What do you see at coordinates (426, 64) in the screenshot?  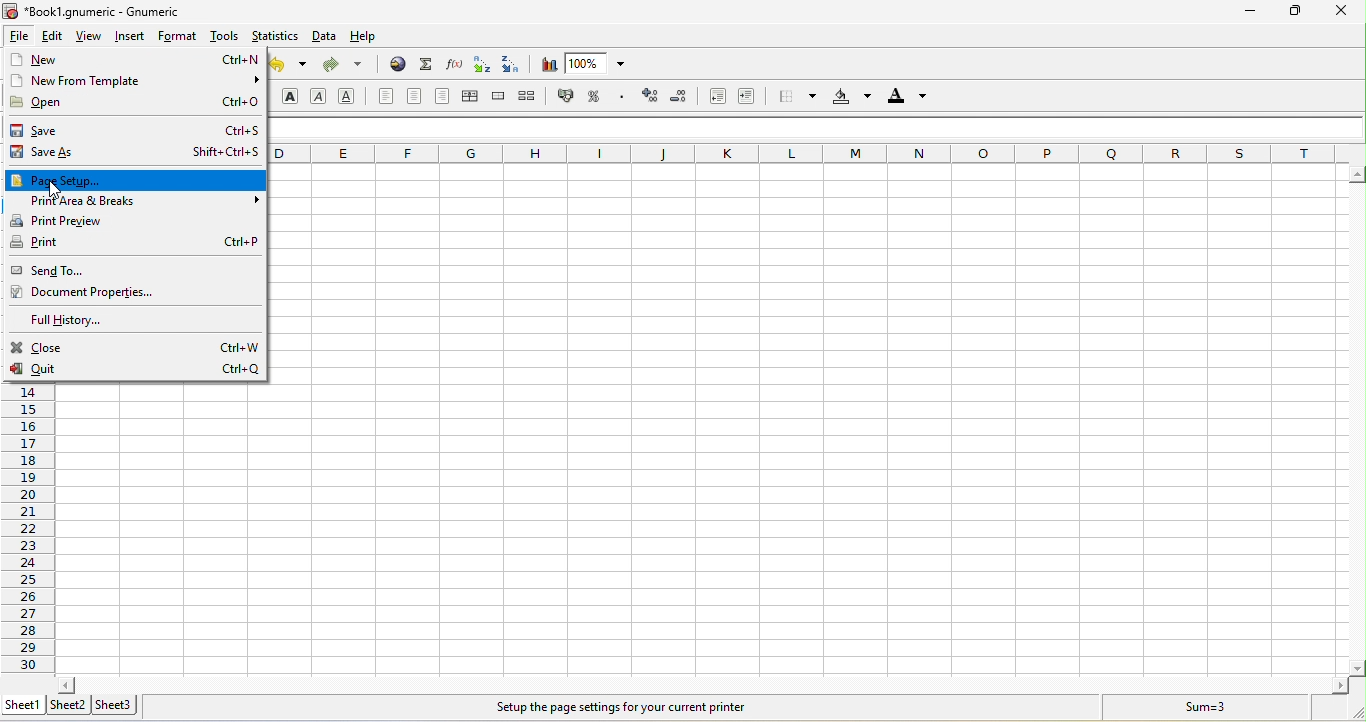 I see `sum` at bounding box center [426, 64].